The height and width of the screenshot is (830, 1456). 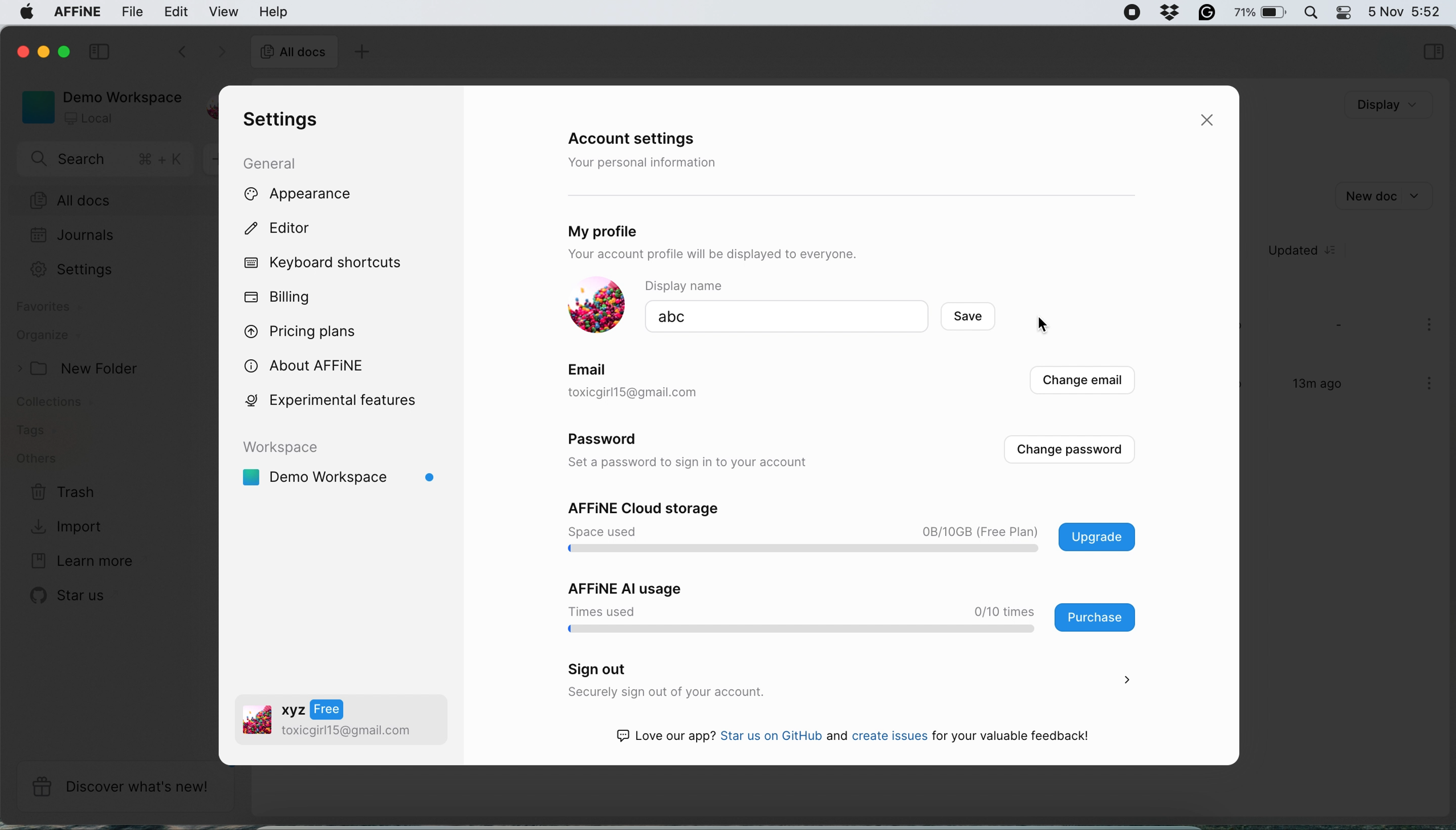 I want to click on screen recorder, so click(x=1125, y=13).